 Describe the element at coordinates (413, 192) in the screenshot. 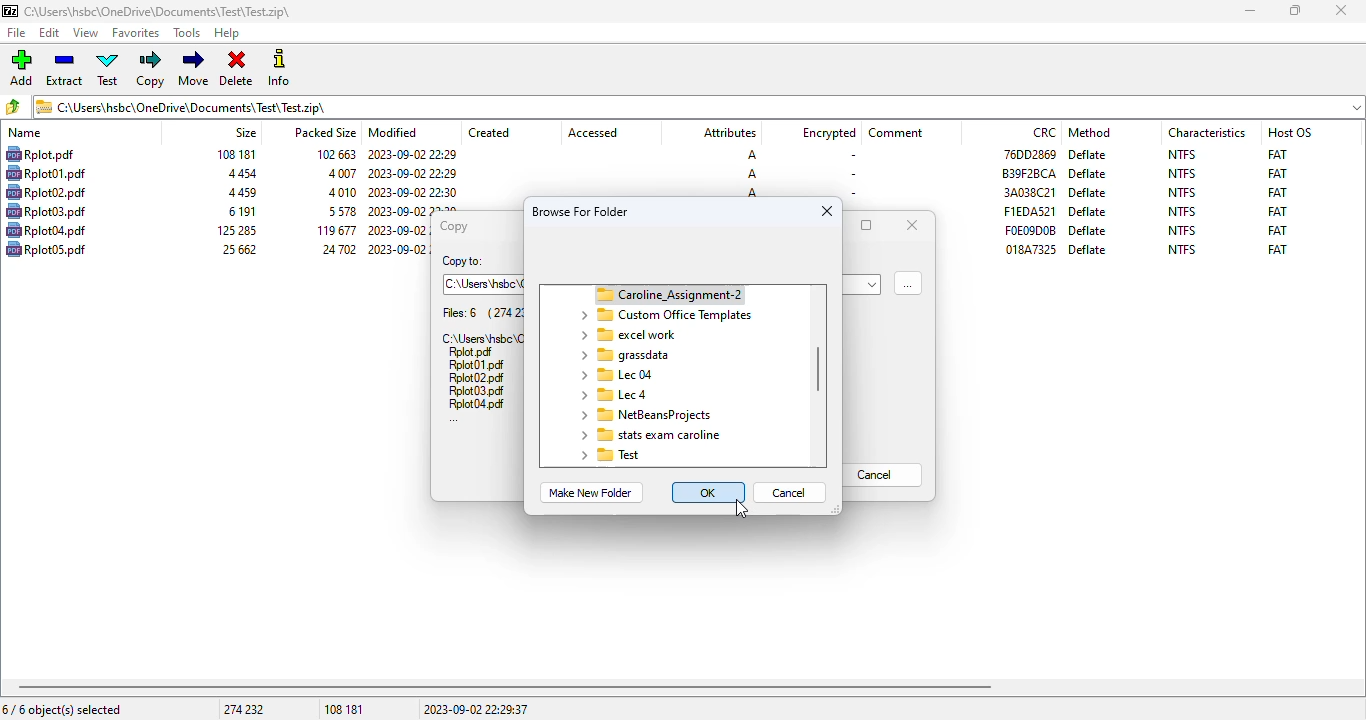

I see `modified date & time` at that location.